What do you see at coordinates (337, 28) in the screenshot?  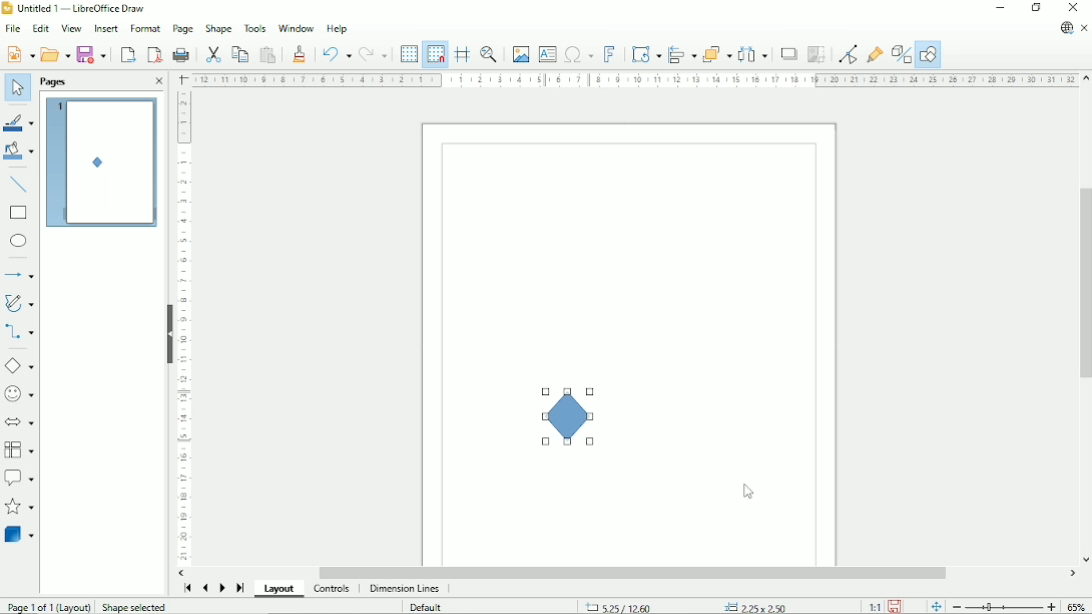 I see `Help` at bounding box center [337, 28].